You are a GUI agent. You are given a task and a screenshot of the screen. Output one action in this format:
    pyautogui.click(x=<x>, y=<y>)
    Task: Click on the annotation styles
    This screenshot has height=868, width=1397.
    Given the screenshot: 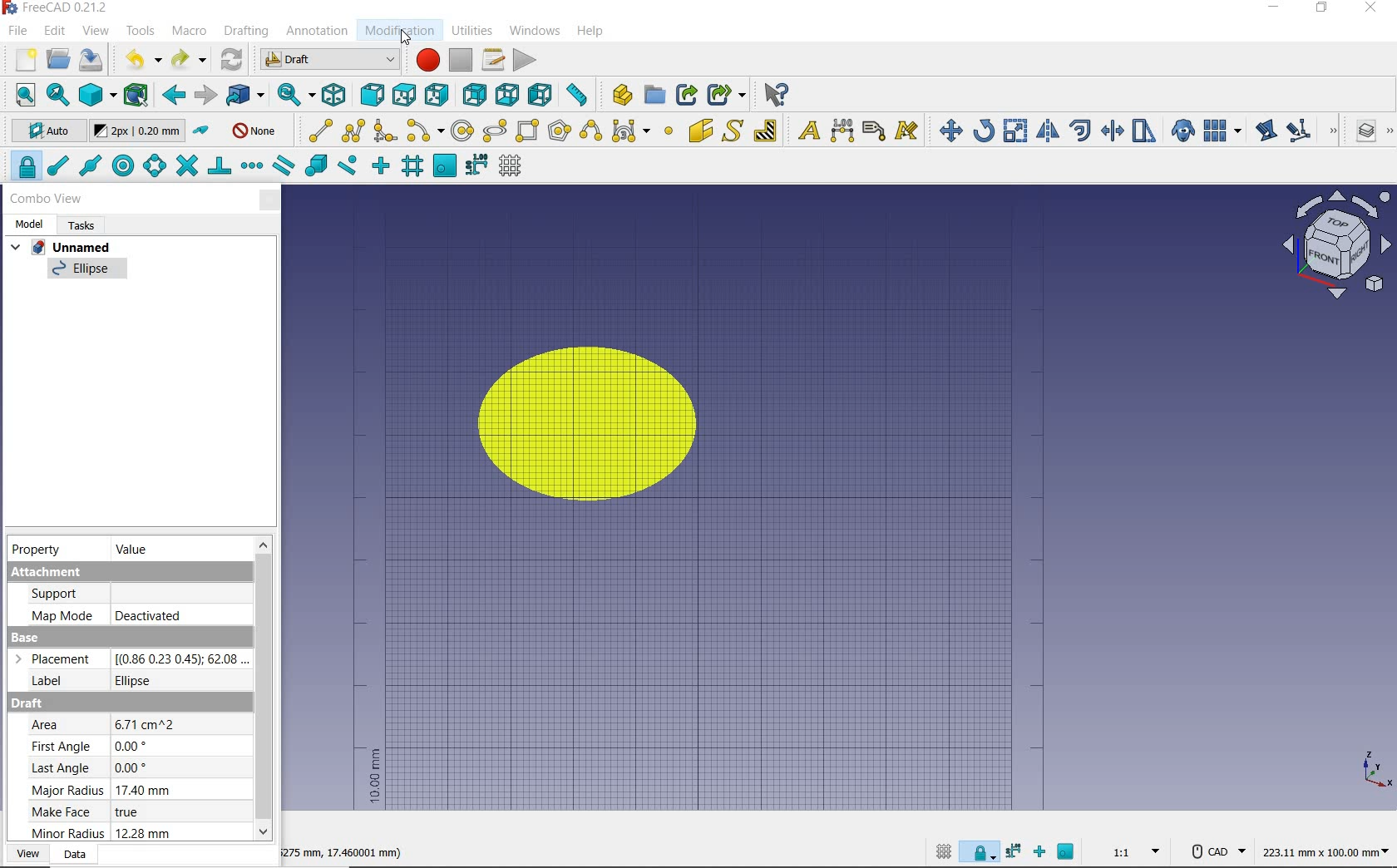 What is the action you would take?
    pyautogui.click(x=908, y=131)
    